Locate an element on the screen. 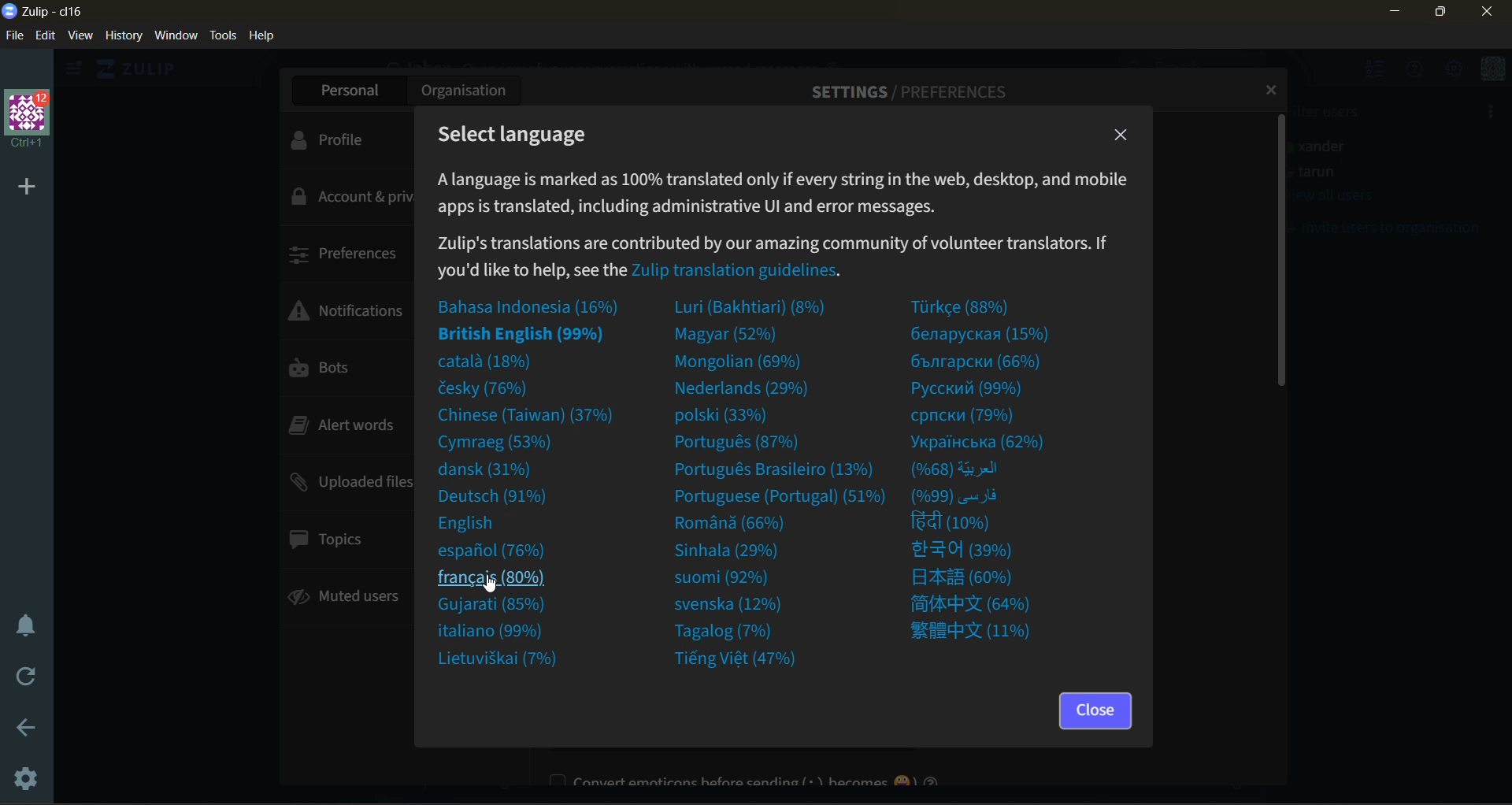  minimize is located at coordinates (1393, 12).